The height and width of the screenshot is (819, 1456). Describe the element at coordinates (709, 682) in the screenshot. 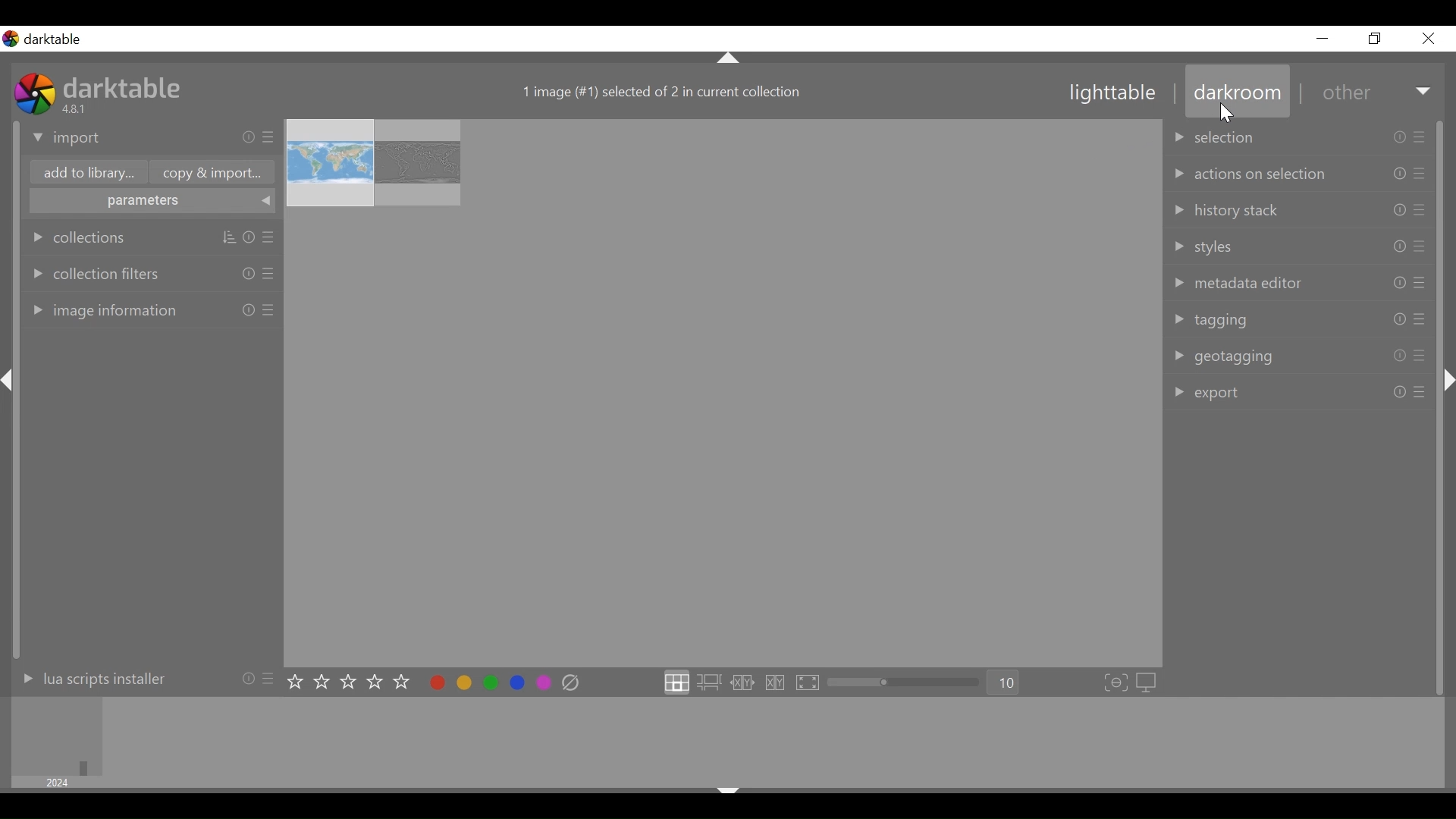

I see `click to enter zoomable lighttable layouy` at that location.